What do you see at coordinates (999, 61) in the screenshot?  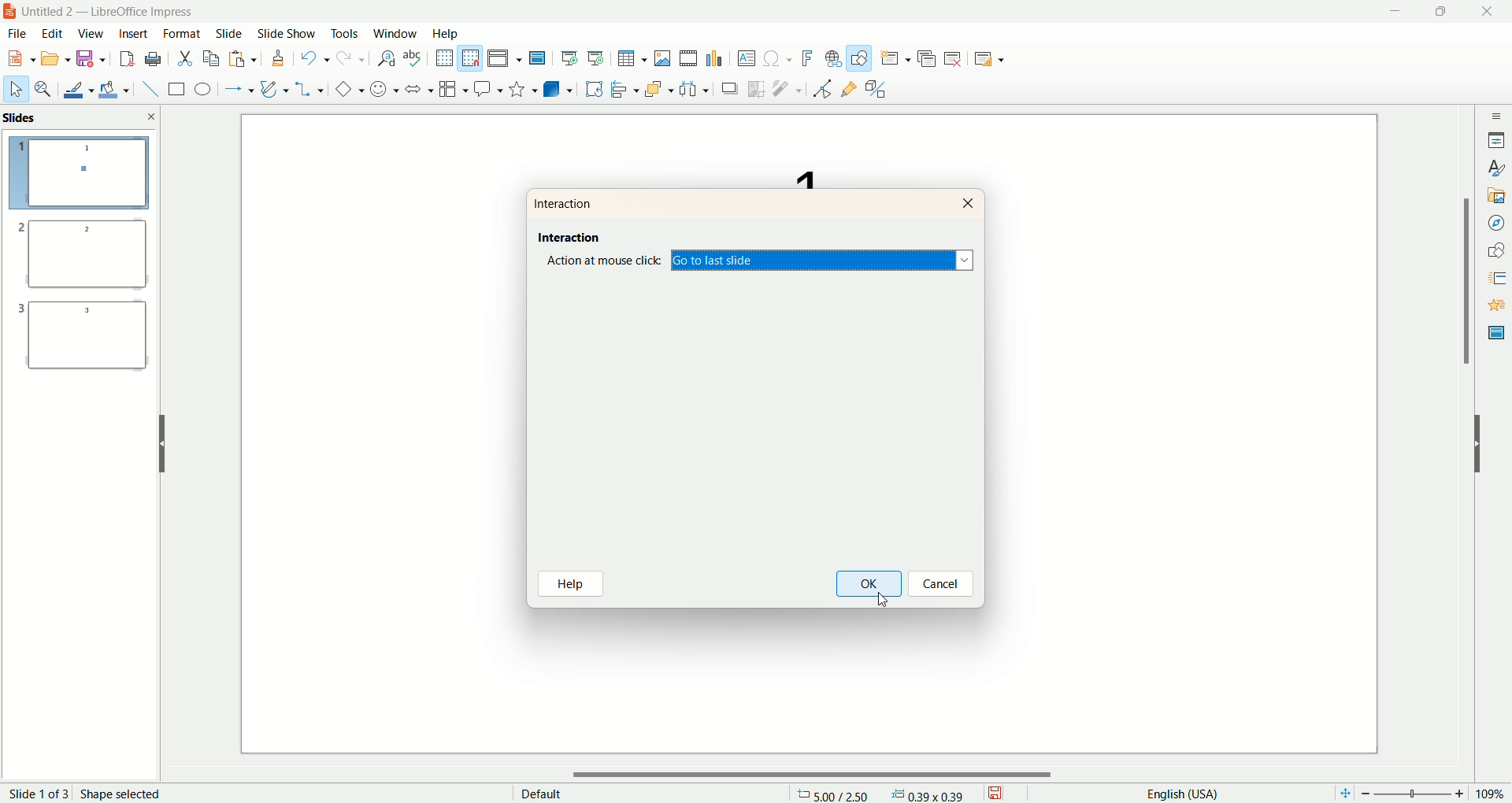 I see `slide layout` at bounding box center [999, 61].